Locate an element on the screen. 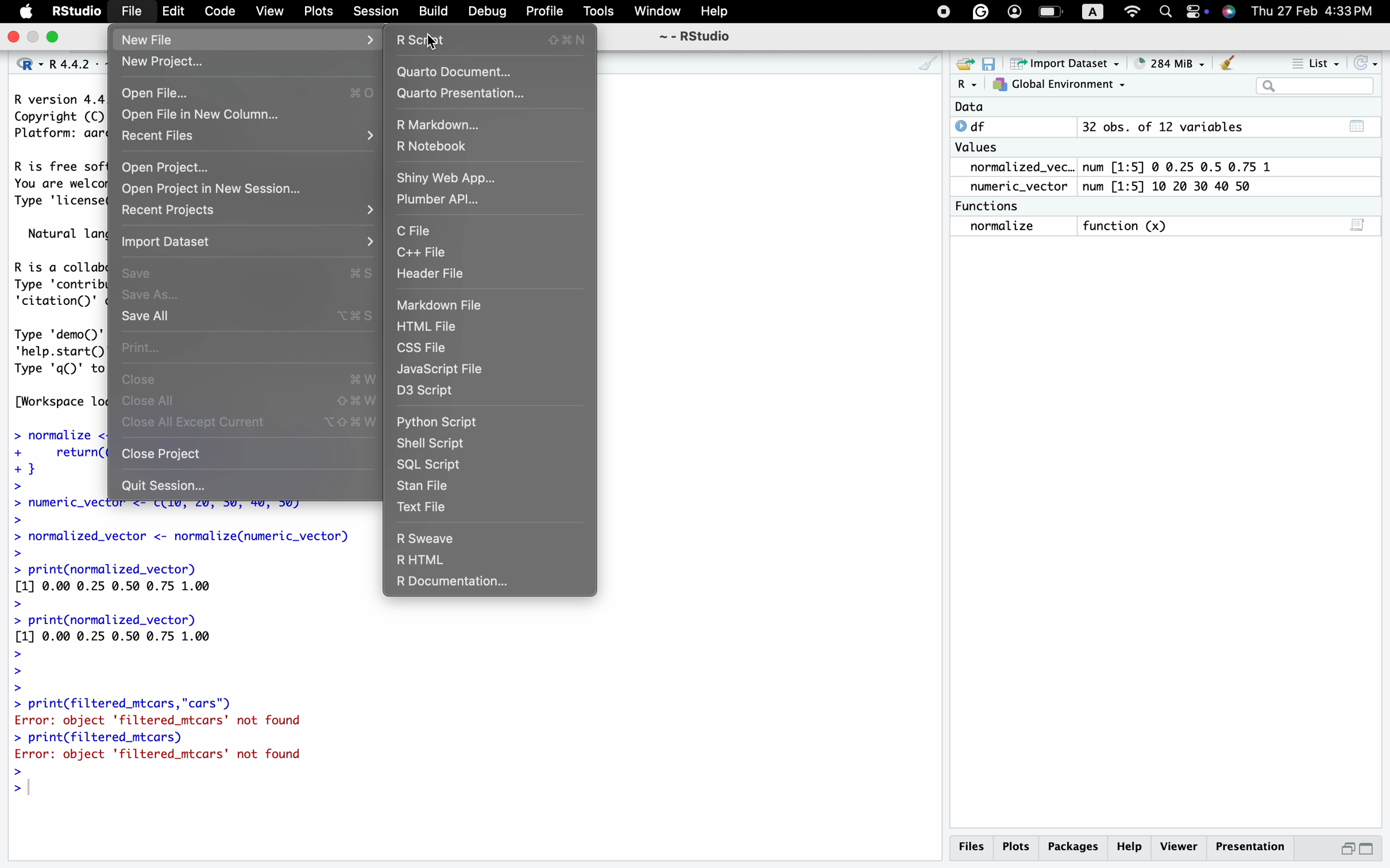 Image resolution: width=1390 pixels, height=868 pixels. SAVE is located at coordinates (989, 64).